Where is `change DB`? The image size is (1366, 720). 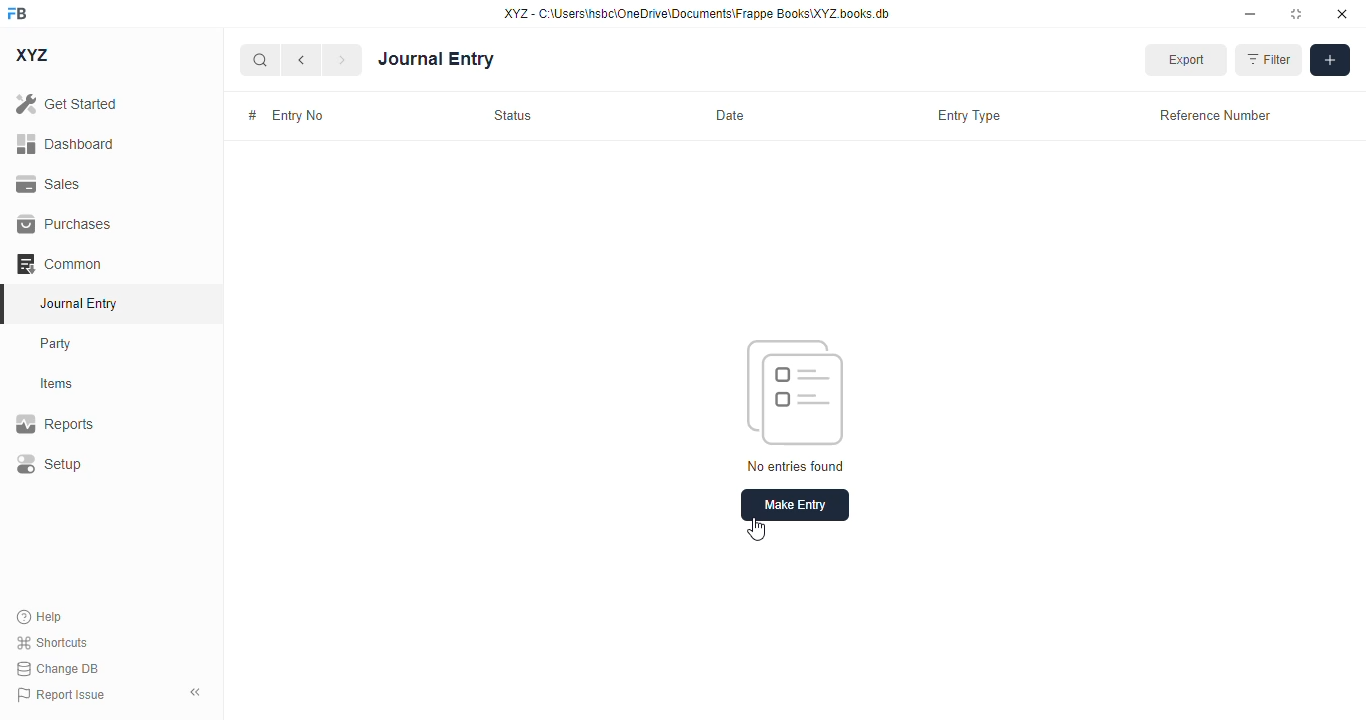
change DB is located at coordinates (58, 668).